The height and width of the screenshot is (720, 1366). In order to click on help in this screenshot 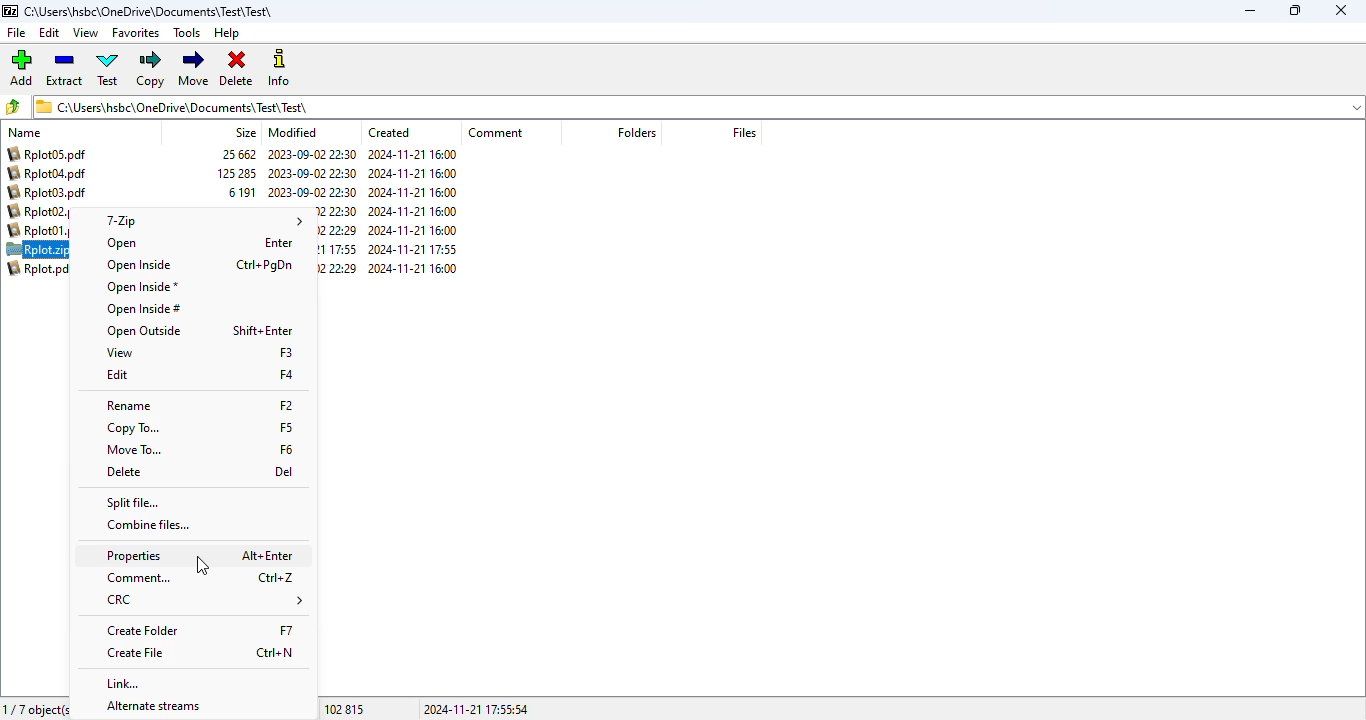, I will do `click(227, 33)`.